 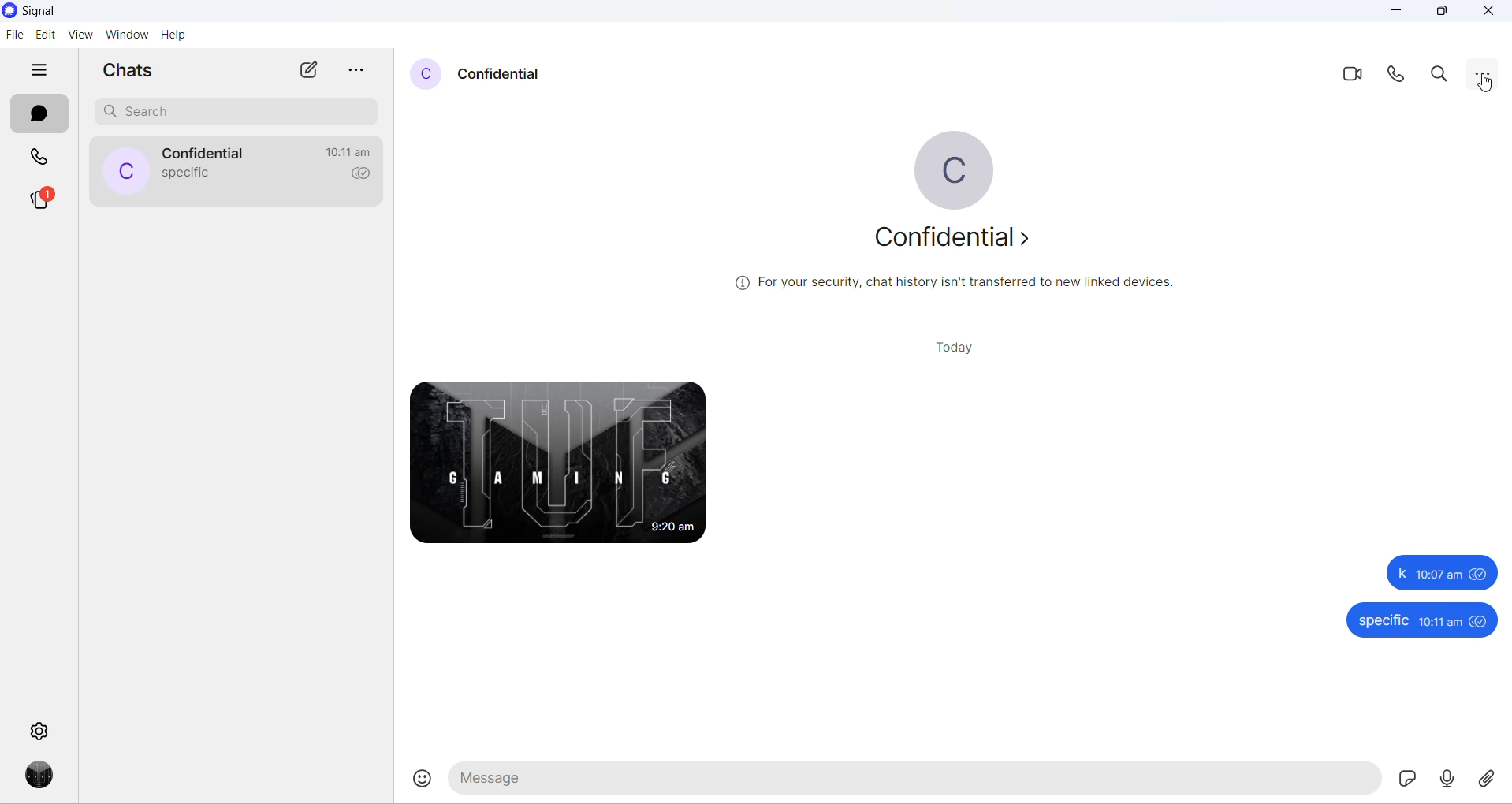 What do you see at coordinates (39, 155) in the screenshot?
I see `calls` at bounding box center [39, 155].